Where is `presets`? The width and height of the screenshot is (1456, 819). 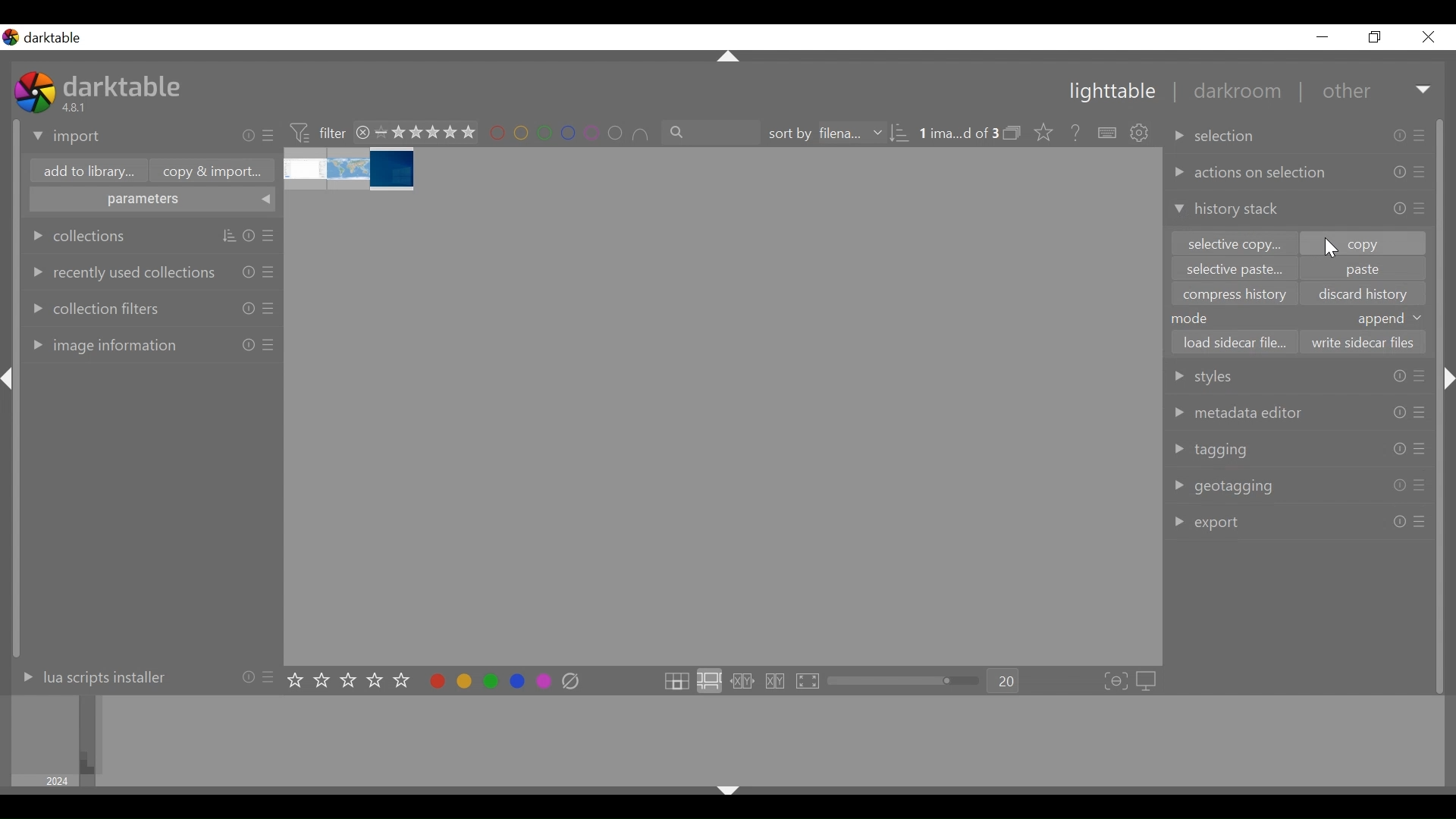 presets is located at coordinates (1423, 172).